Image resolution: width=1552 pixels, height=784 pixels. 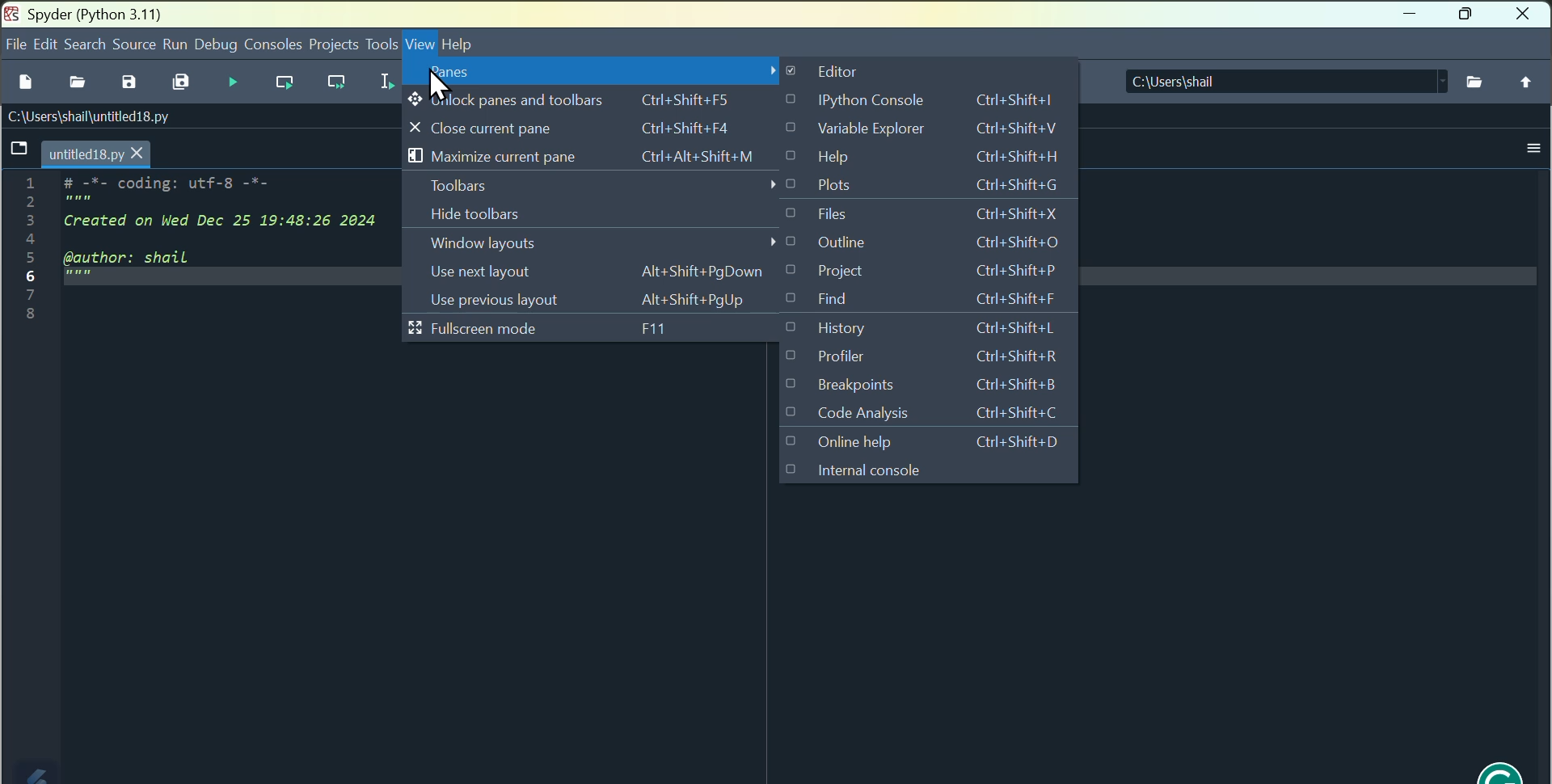 What do you see at coordinates (1523, 15) in the screenshot?
I see `close` at bounding box center [1523, 15].